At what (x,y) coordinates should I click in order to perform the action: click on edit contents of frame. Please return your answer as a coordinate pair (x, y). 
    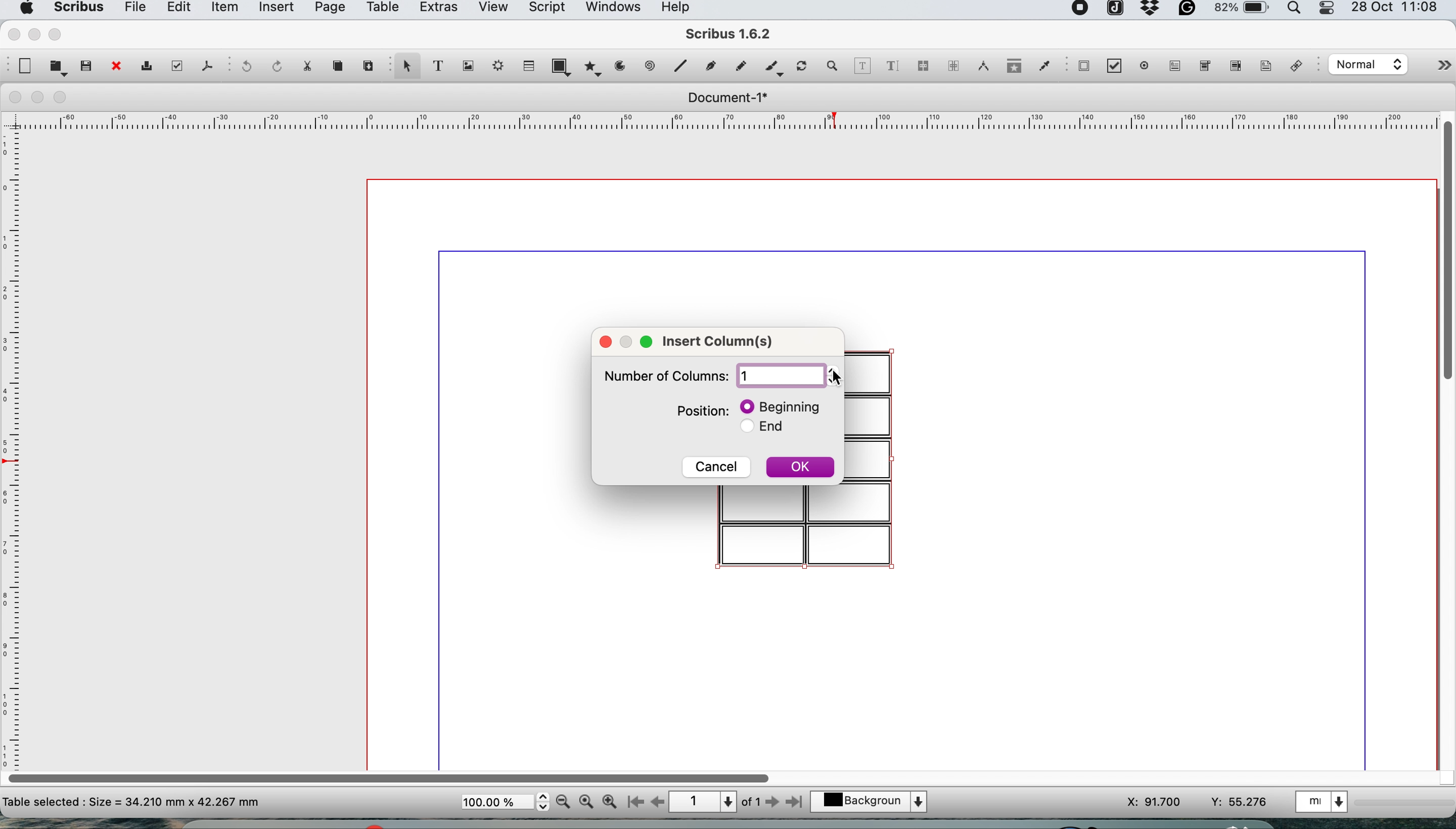
    Looking at the image, I should click on (862, 65).